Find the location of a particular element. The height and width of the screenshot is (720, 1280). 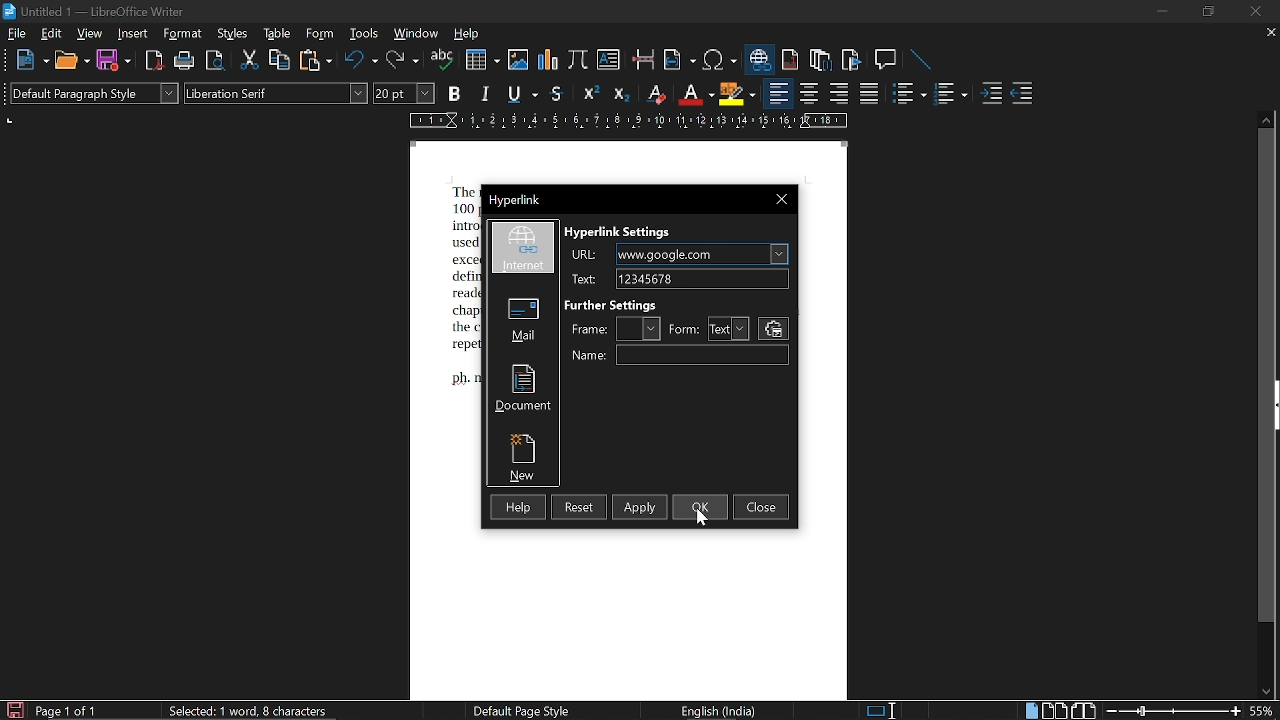

save is located at coordinates (14, 710).